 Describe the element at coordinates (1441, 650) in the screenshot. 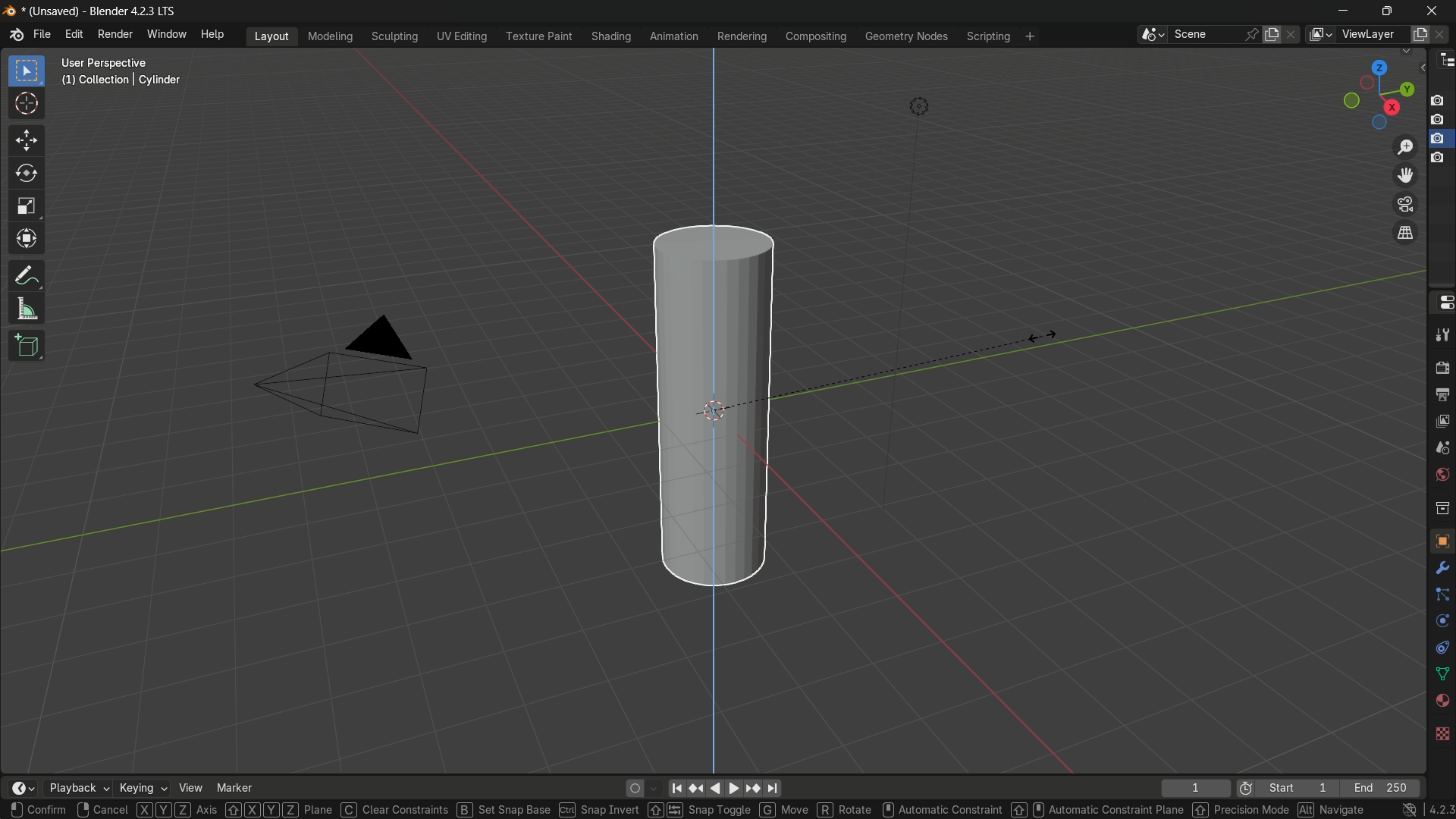

I see `constraints` at that location.